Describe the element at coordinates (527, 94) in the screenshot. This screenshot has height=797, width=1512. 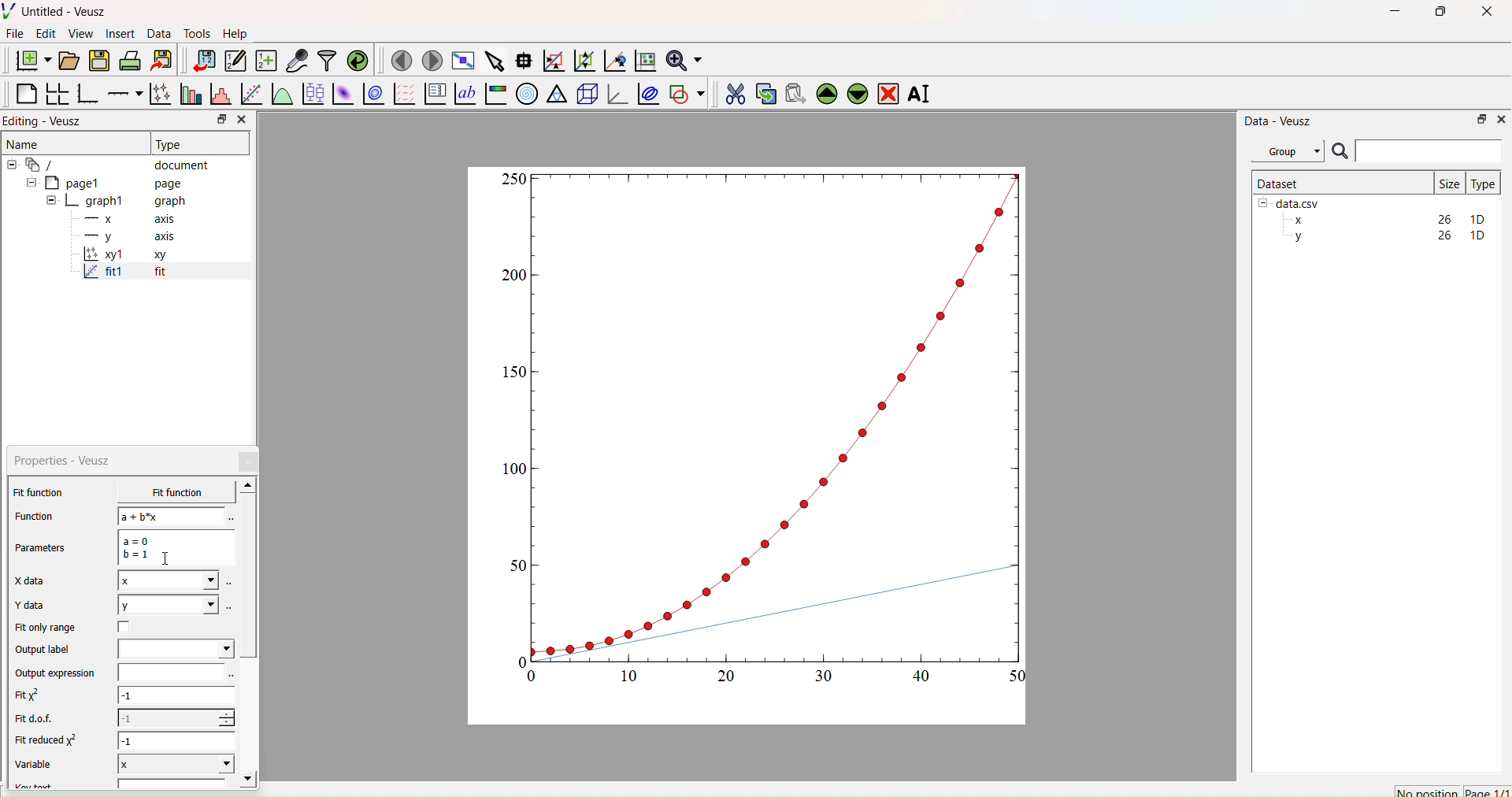
I see `Polar Graph` at that location.